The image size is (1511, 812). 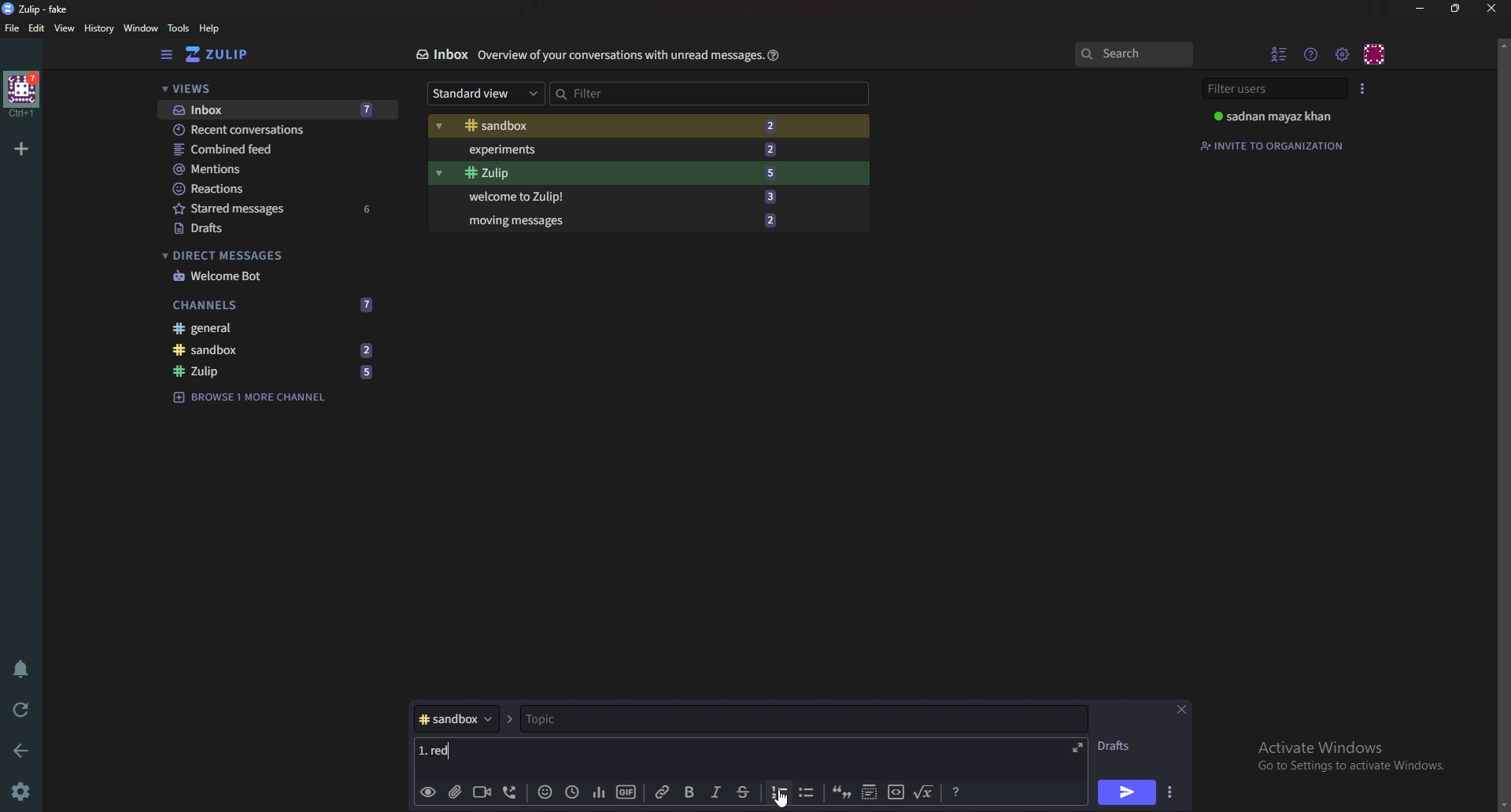 What do you see at coordinates (1364, 87) in the screenshot?
I see `User list style` at bounding box center [1364, 87].